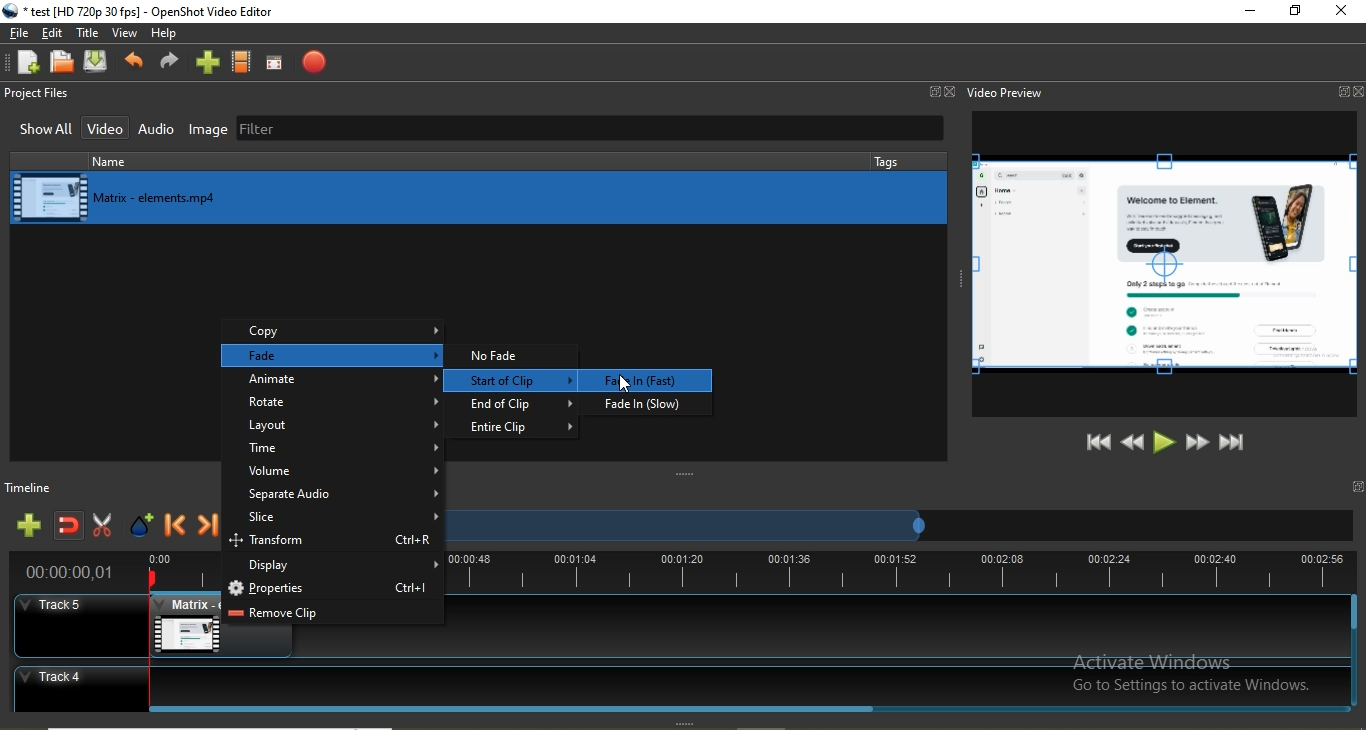 This screenshot has width=1366, height=730. What do you see at coordinates (955, 276) in the screenshot?
I see `adjust window` at bounding box center [955, 276].